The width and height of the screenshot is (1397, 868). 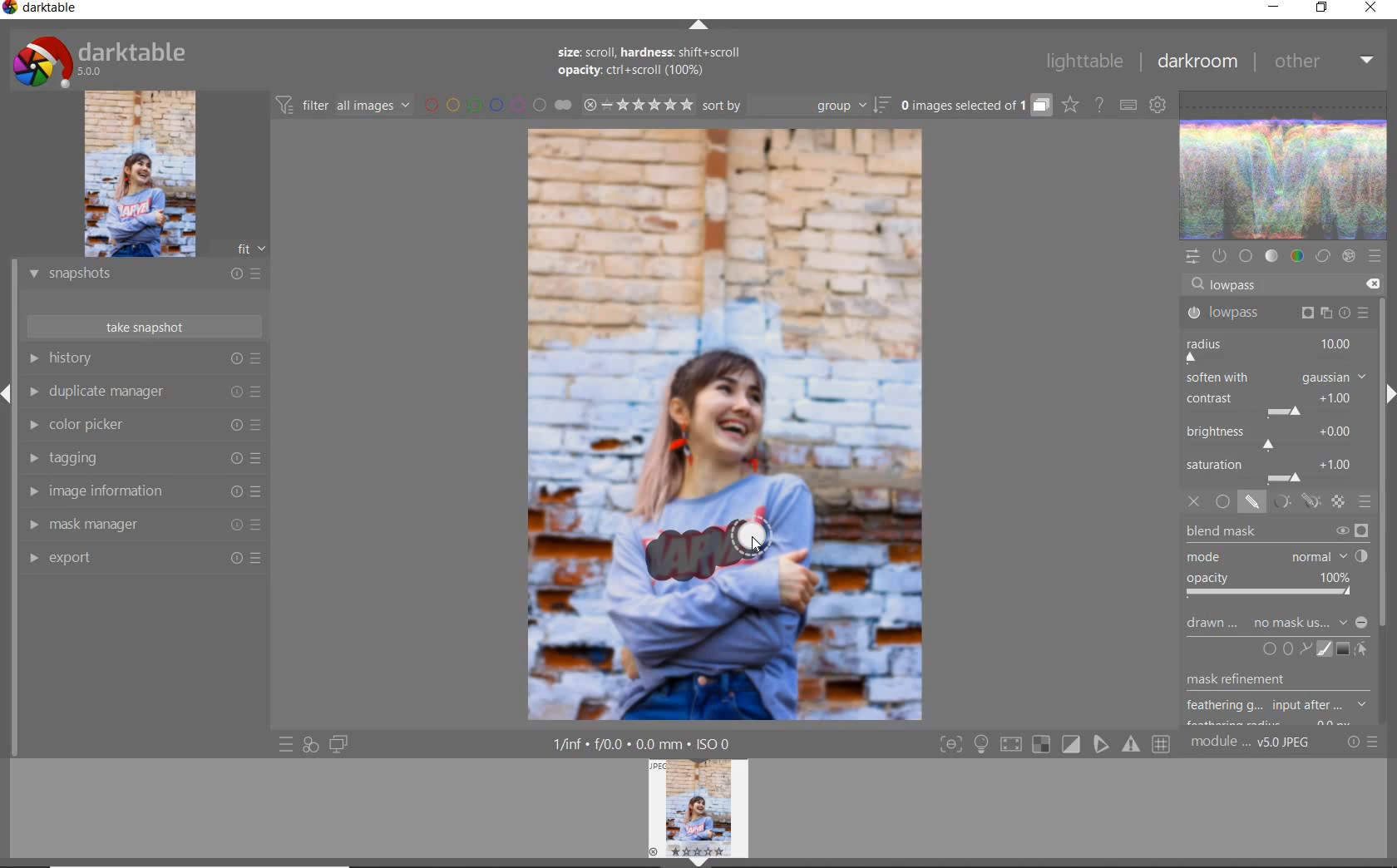 I want to click on lighttable, so click(x=1082, y=64).